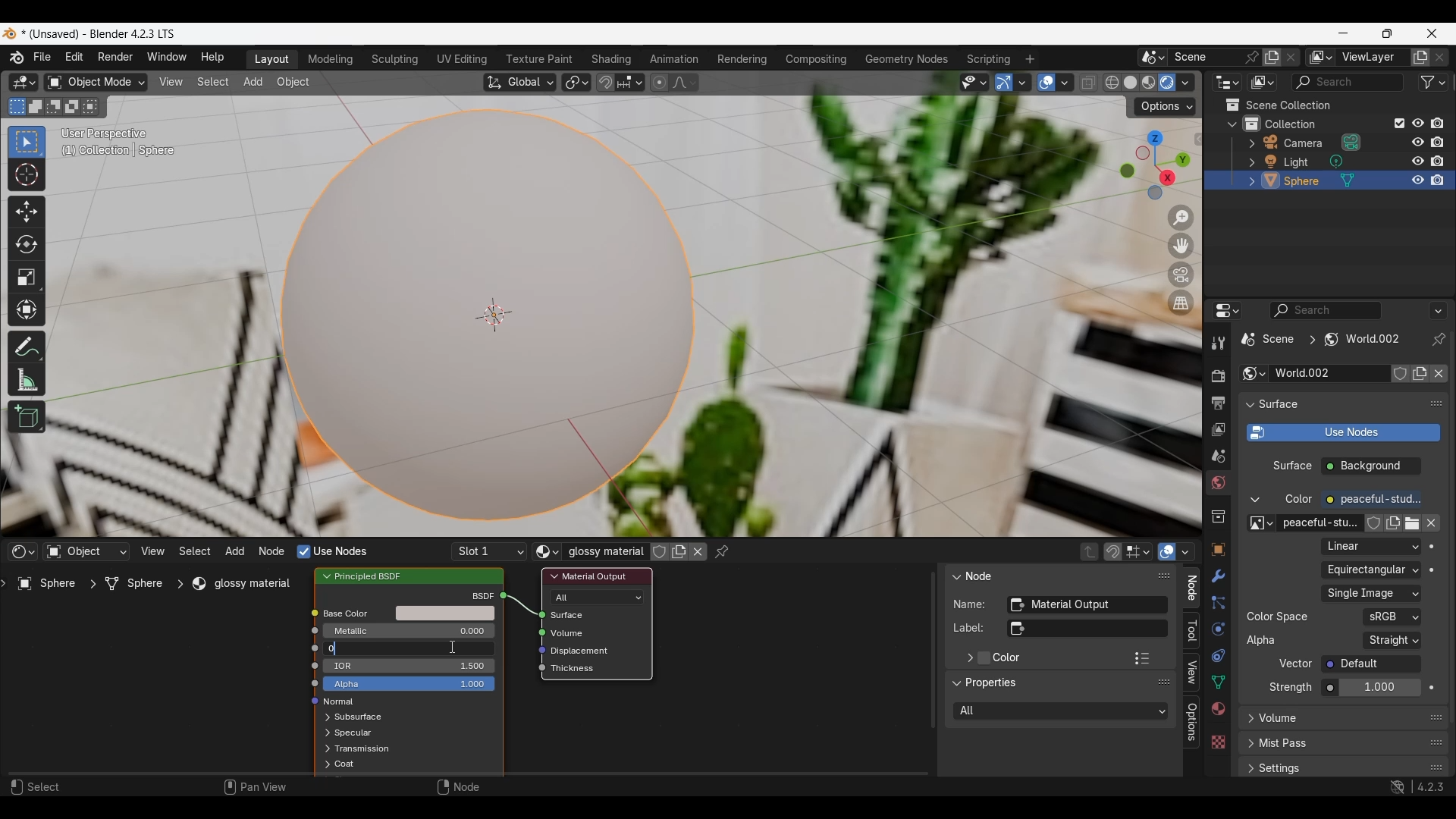  What do you see at coordinates (1247, 146) in the screenshot?
I see `Expand respective scenes` at bounding box center [1247, 146].